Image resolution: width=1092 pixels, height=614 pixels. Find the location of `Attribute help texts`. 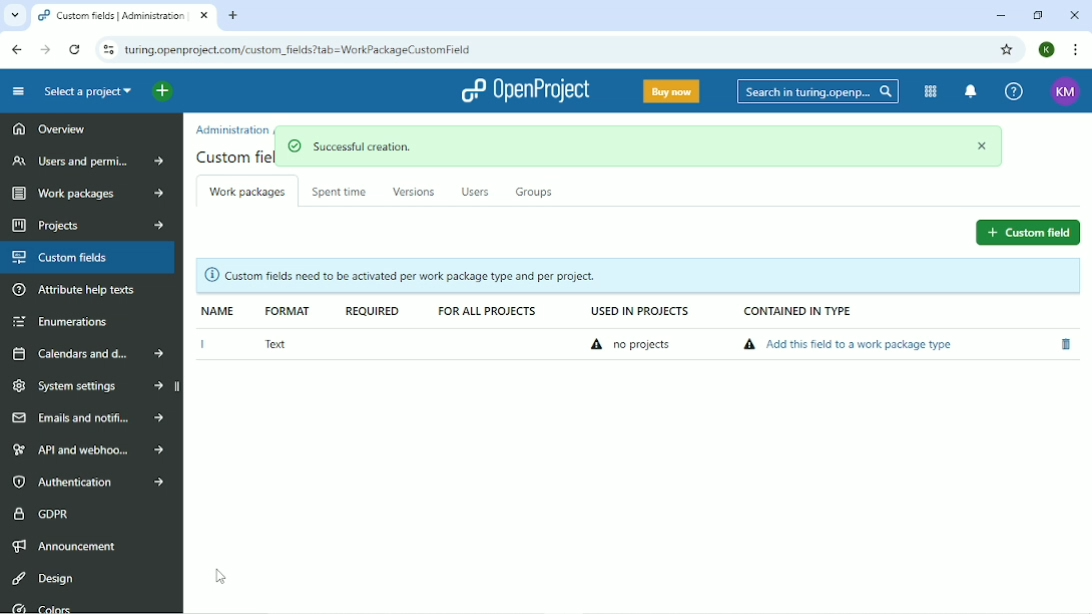

Attribute help texts is located at coordinates (77, 291).